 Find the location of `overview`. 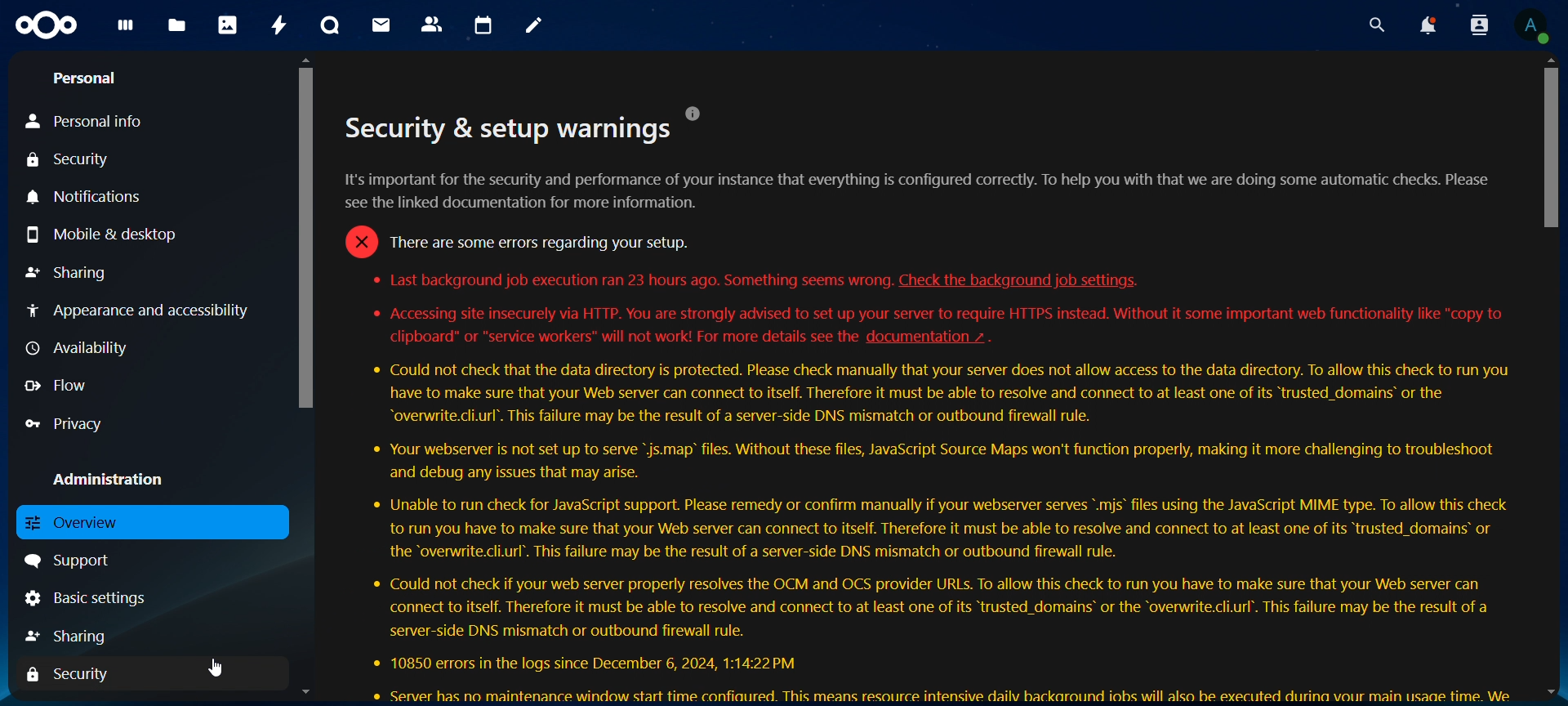

overview is located at coordinates (78, 522).